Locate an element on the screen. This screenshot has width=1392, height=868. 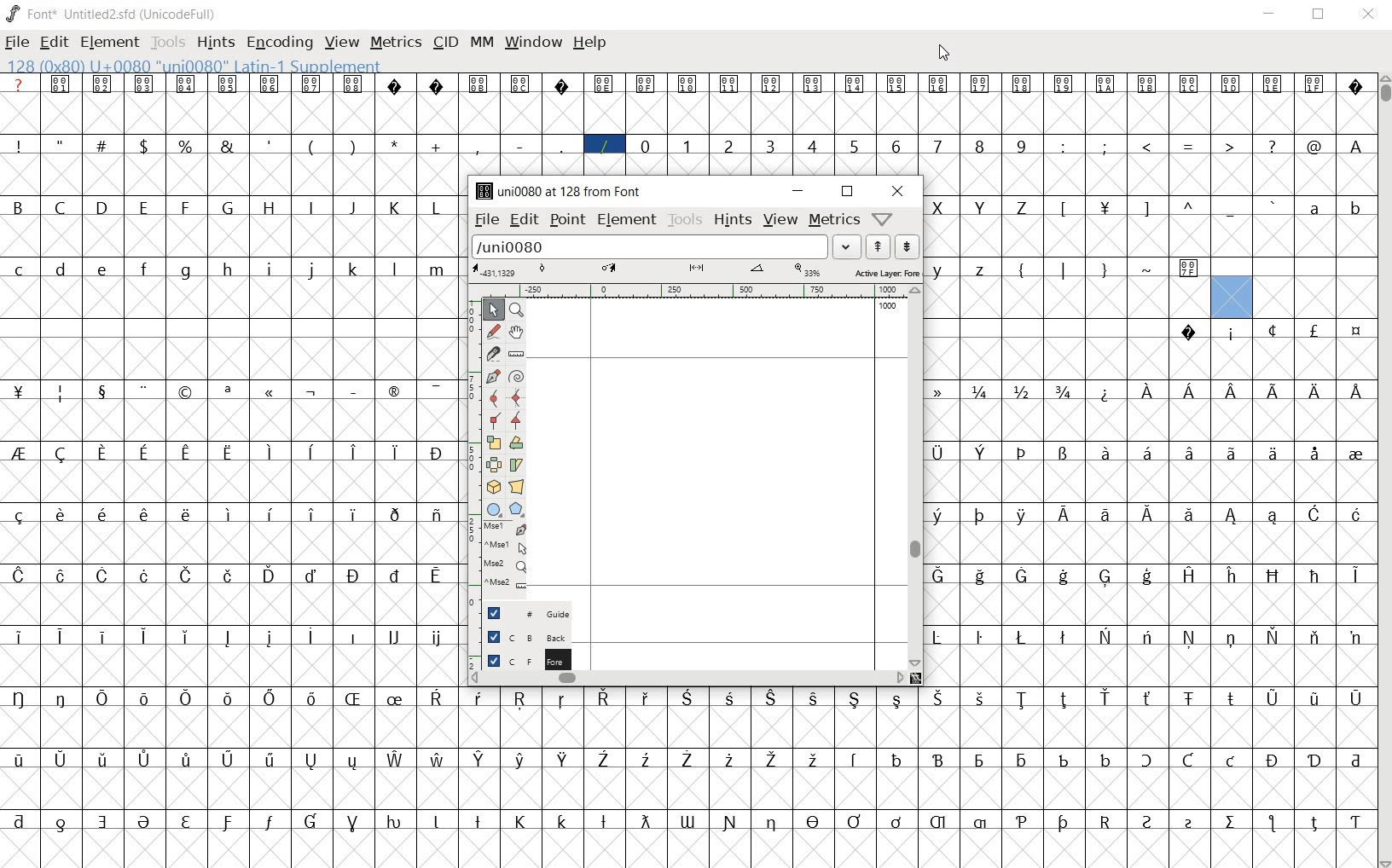
glyph is located at coordinates (1273, 761).